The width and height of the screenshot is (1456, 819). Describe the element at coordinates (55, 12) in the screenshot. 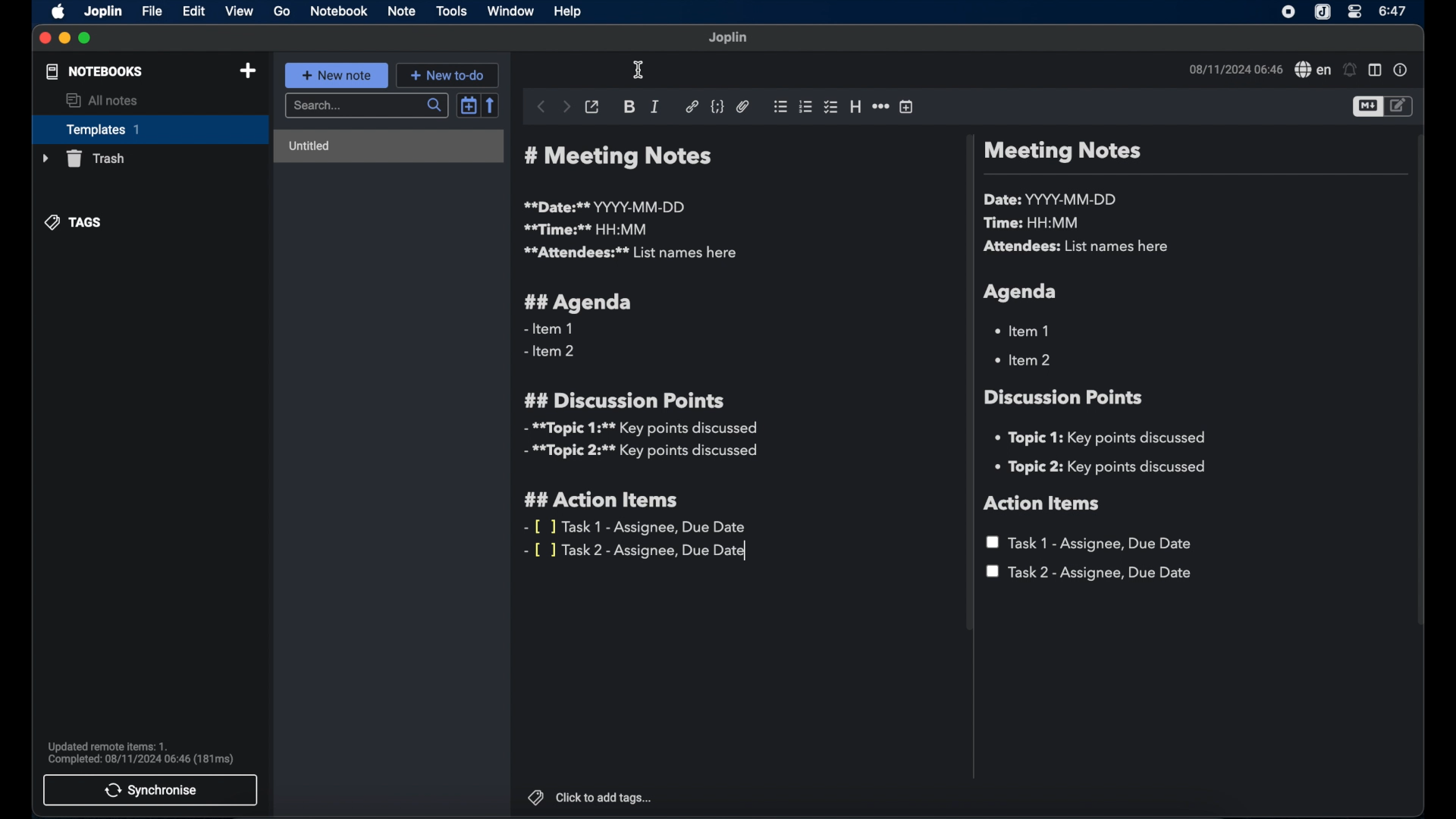

I see `apple icon` at that location.